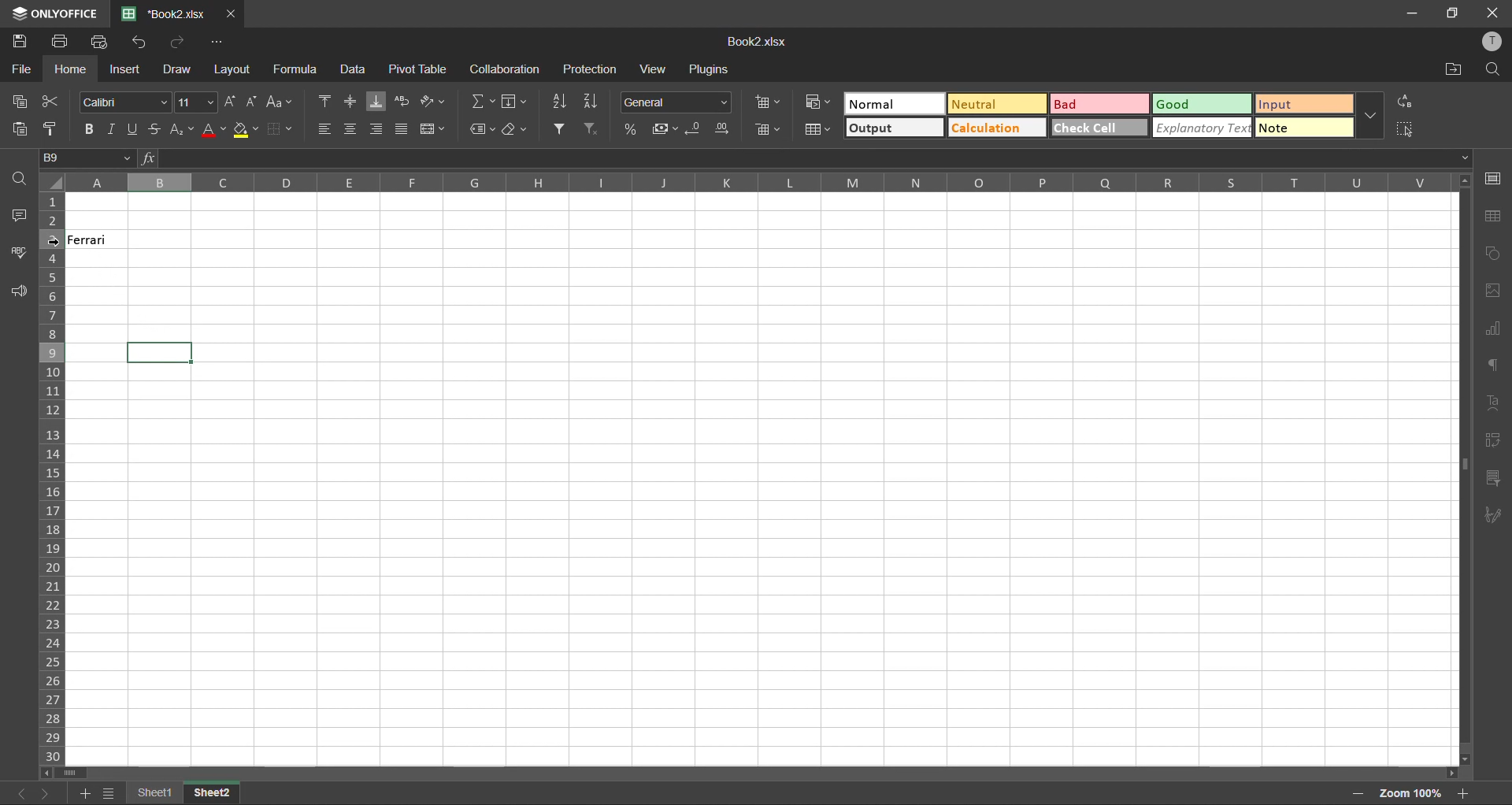  Describe the element at coordinates (1099, 128) in the screenshot. I see `check cell` at that location.